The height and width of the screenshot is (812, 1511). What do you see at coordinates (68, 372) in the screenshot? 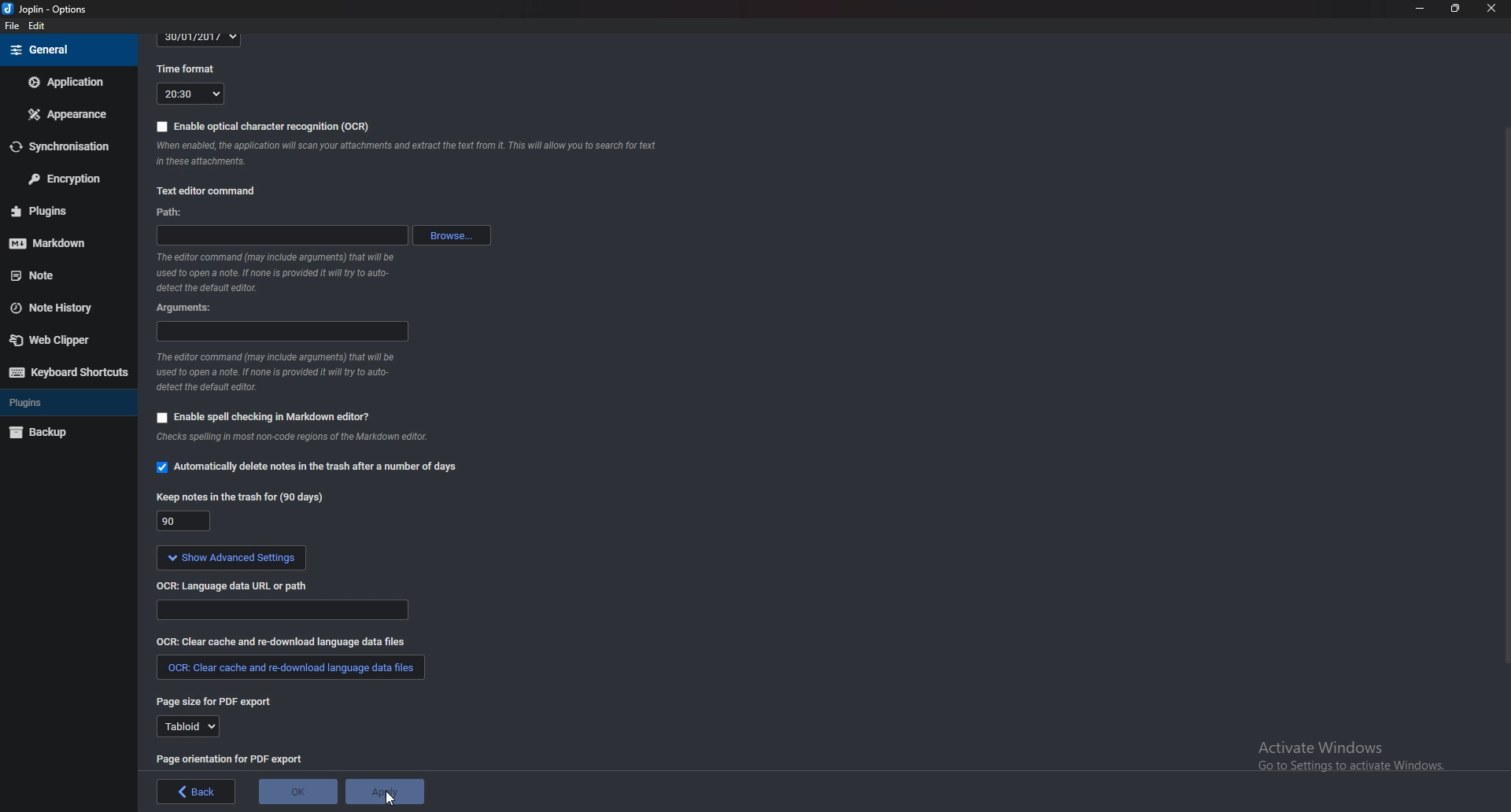
I see `Keyboard shortcuts` at bounding box center [68, 372].